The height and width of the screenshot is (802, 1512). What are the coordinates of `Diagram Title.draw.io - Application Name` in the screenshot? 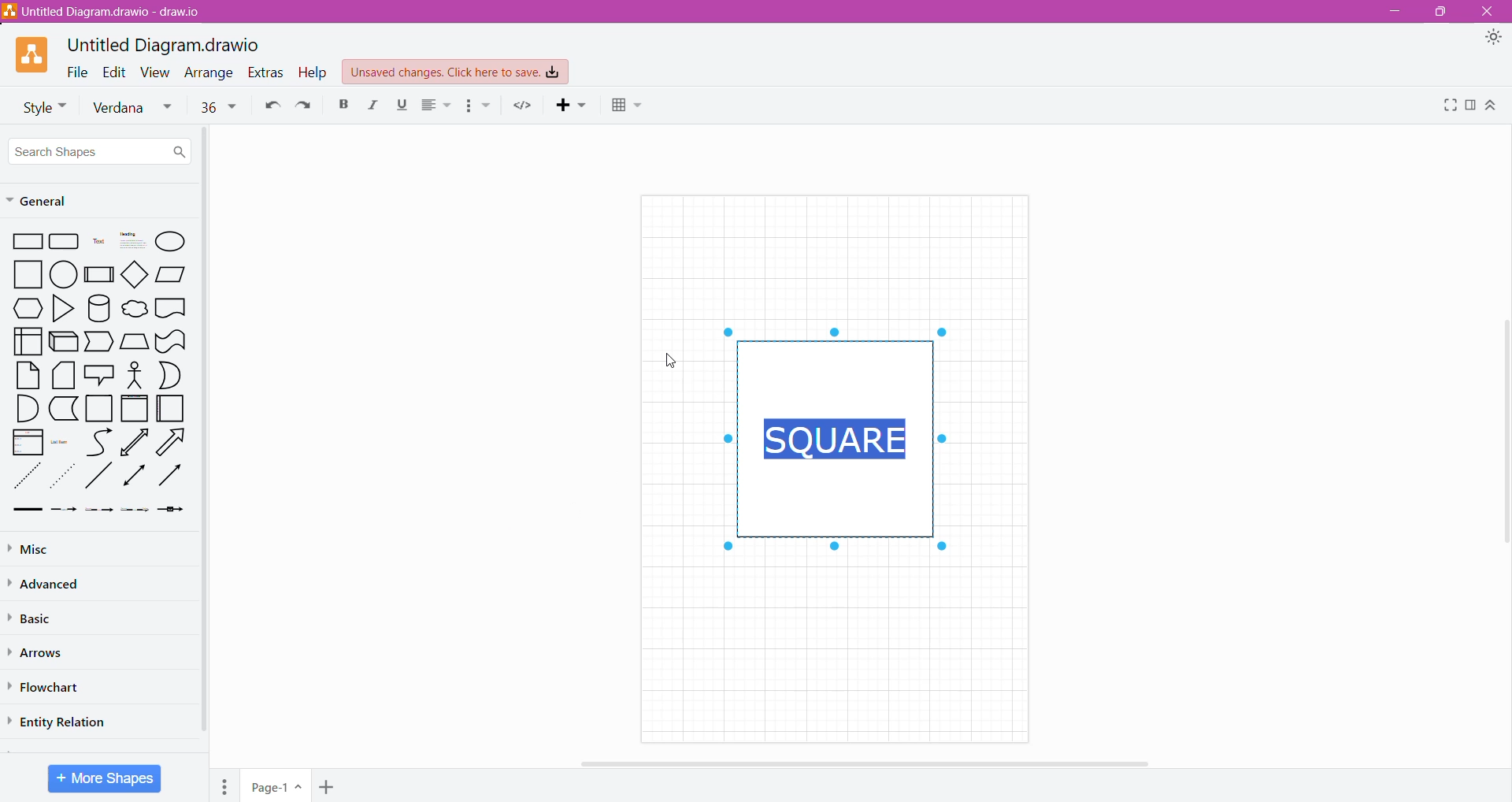 It's located at (109, 11).